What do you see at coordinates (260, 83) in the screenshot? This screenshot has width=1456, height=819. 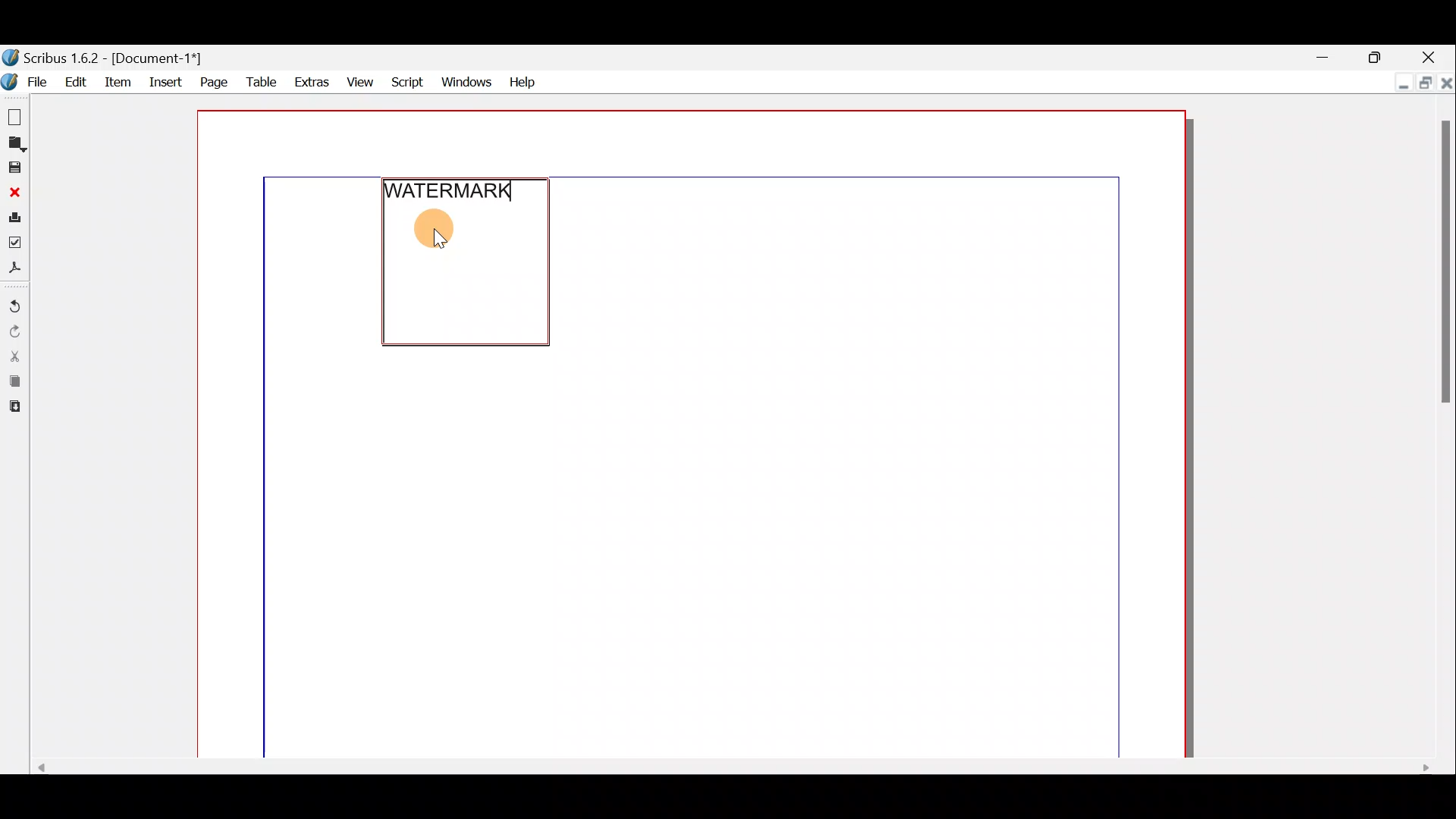 I see `Table` at bounding box center [260, 83].